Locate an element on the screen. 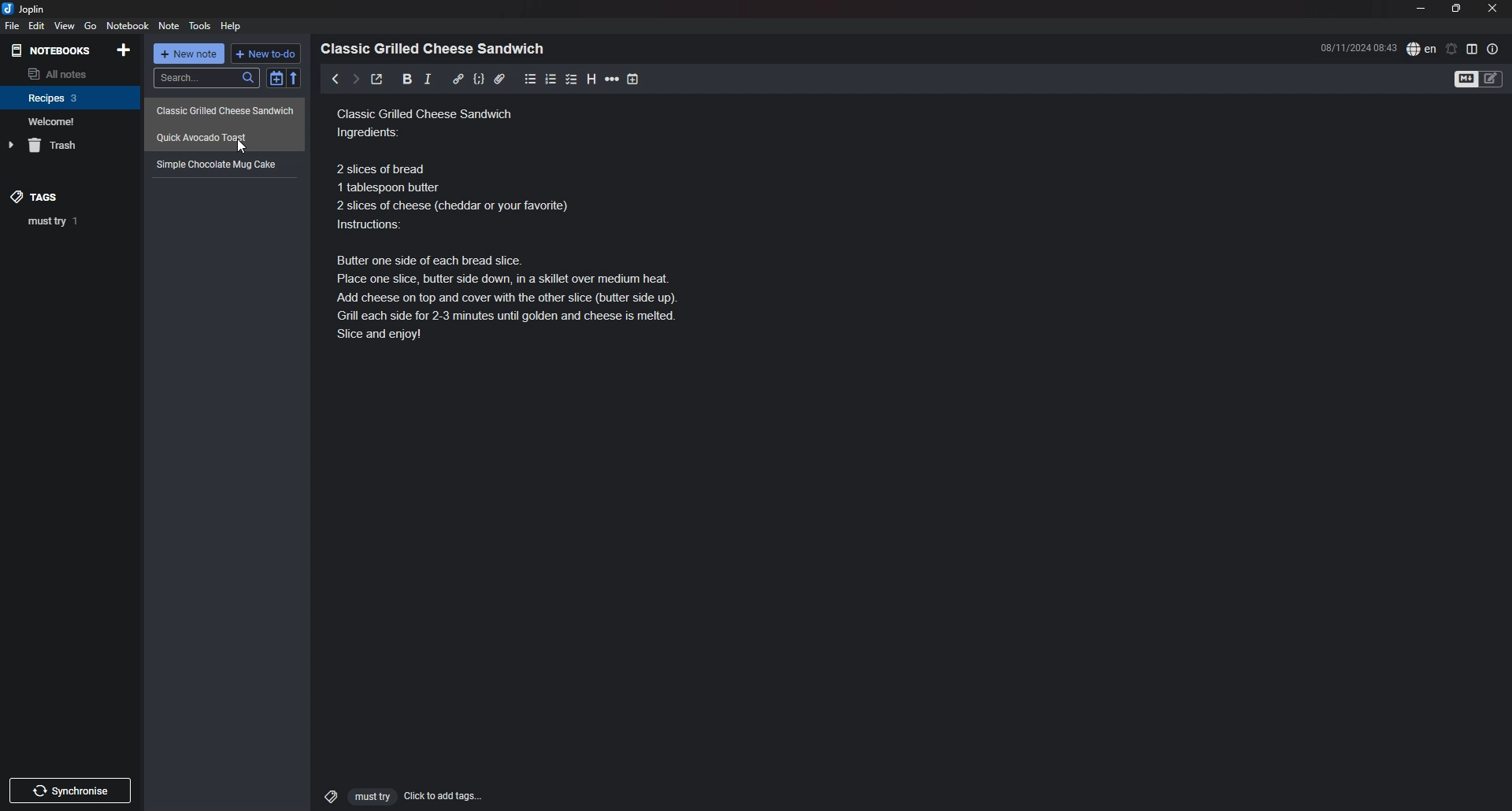 The width and height of the screenshot is (1512, 811). set alarm is located at coordinates (1452, 48).